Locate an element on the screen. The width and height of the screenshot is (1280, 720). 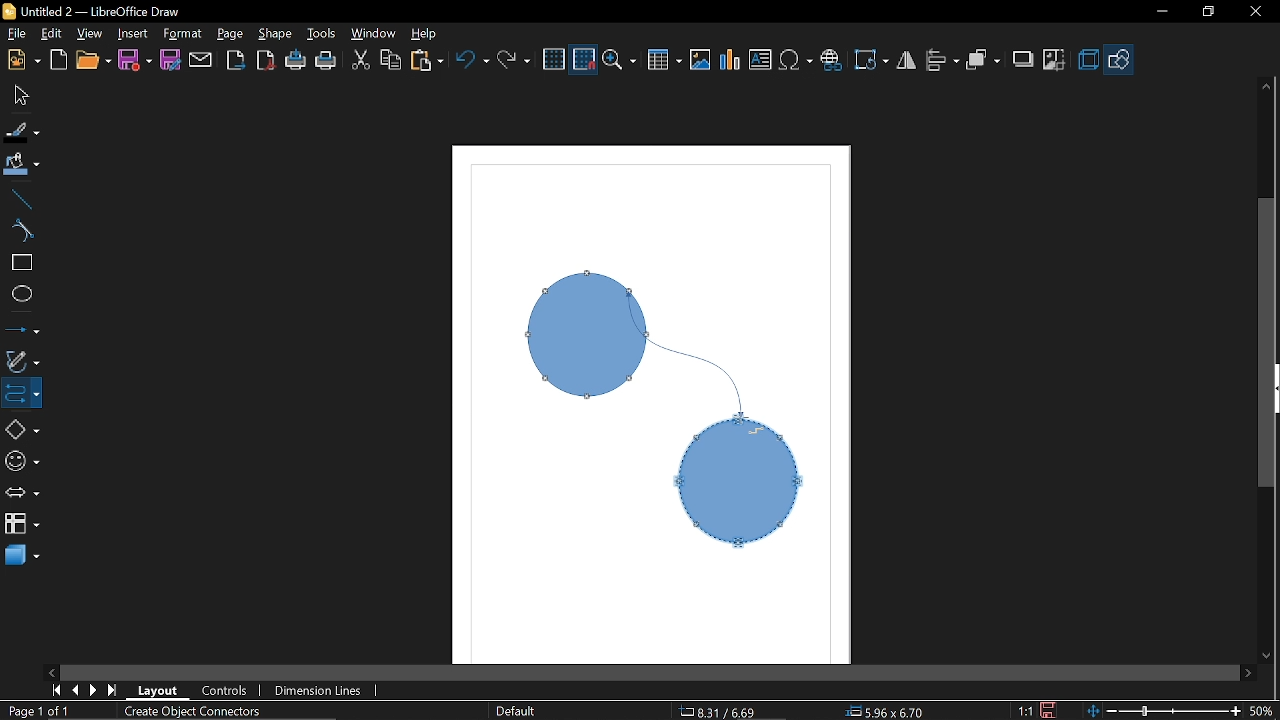
Save is located at coordinates (133, 60).